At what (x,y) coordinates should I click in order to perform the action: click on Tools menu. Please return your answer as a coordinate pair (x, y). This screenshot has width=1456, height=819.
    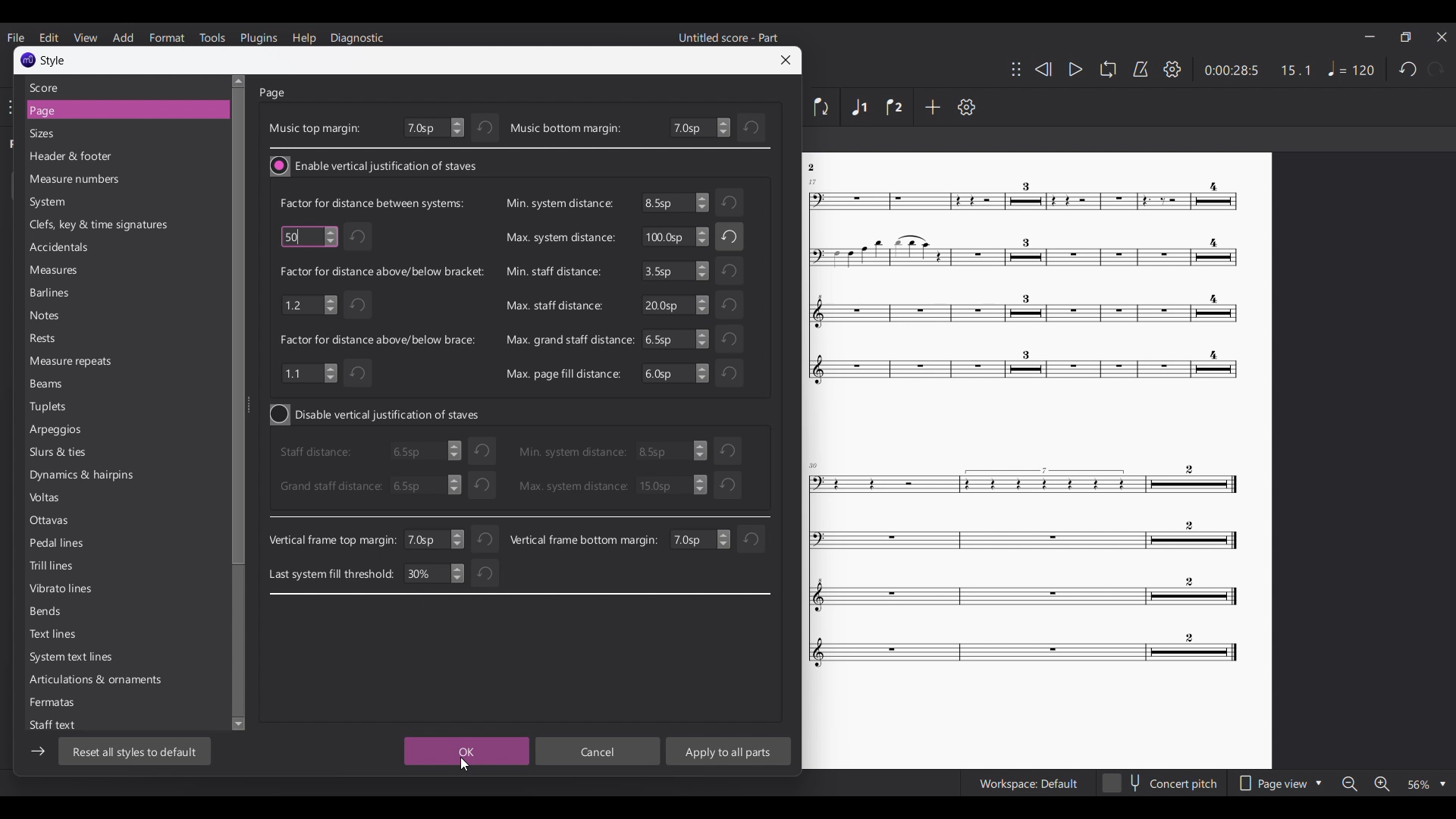
    Looking at the image, I should click on (212, 37).